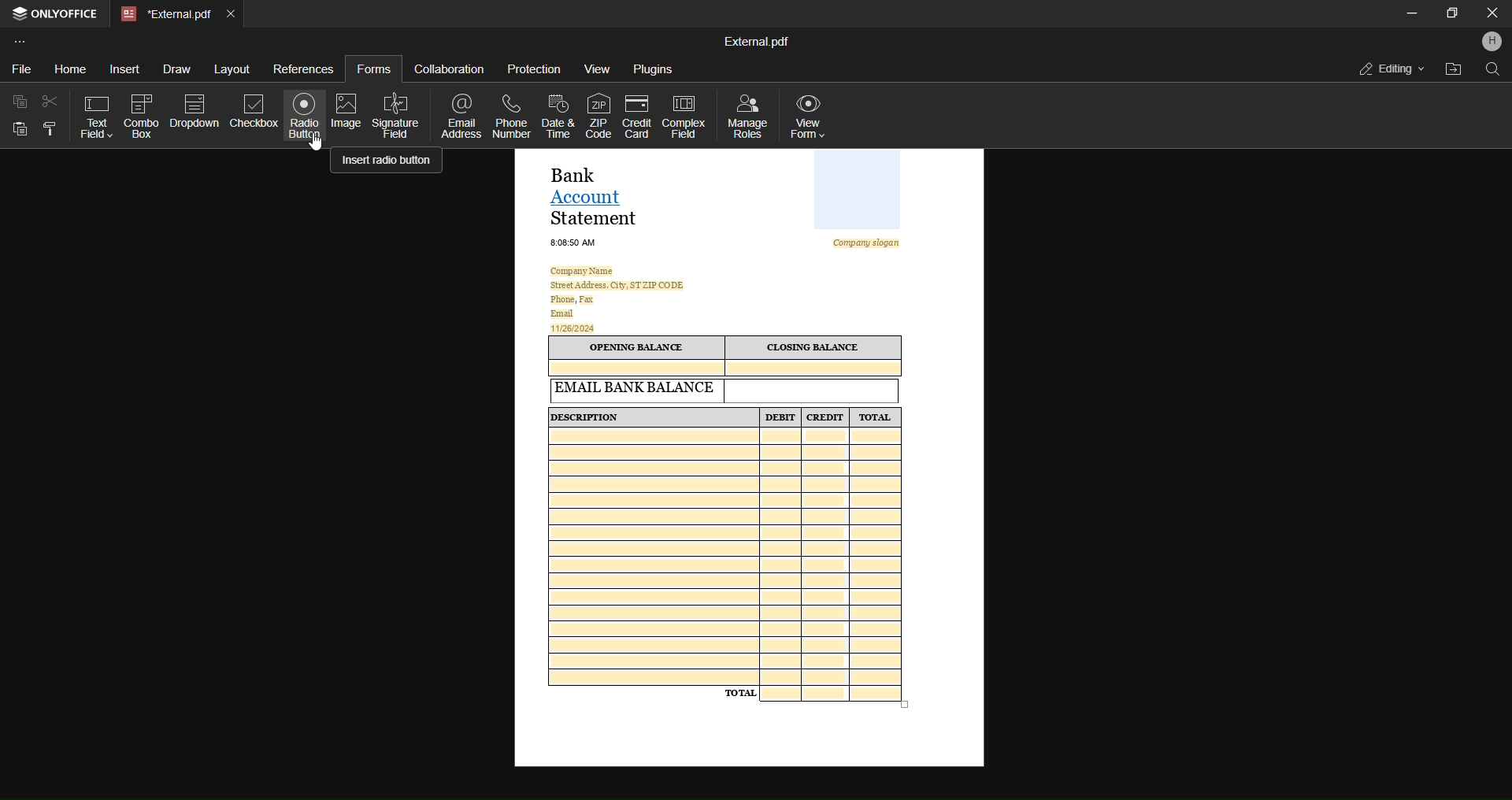  I want to click on open office tab, so click(59, 16).